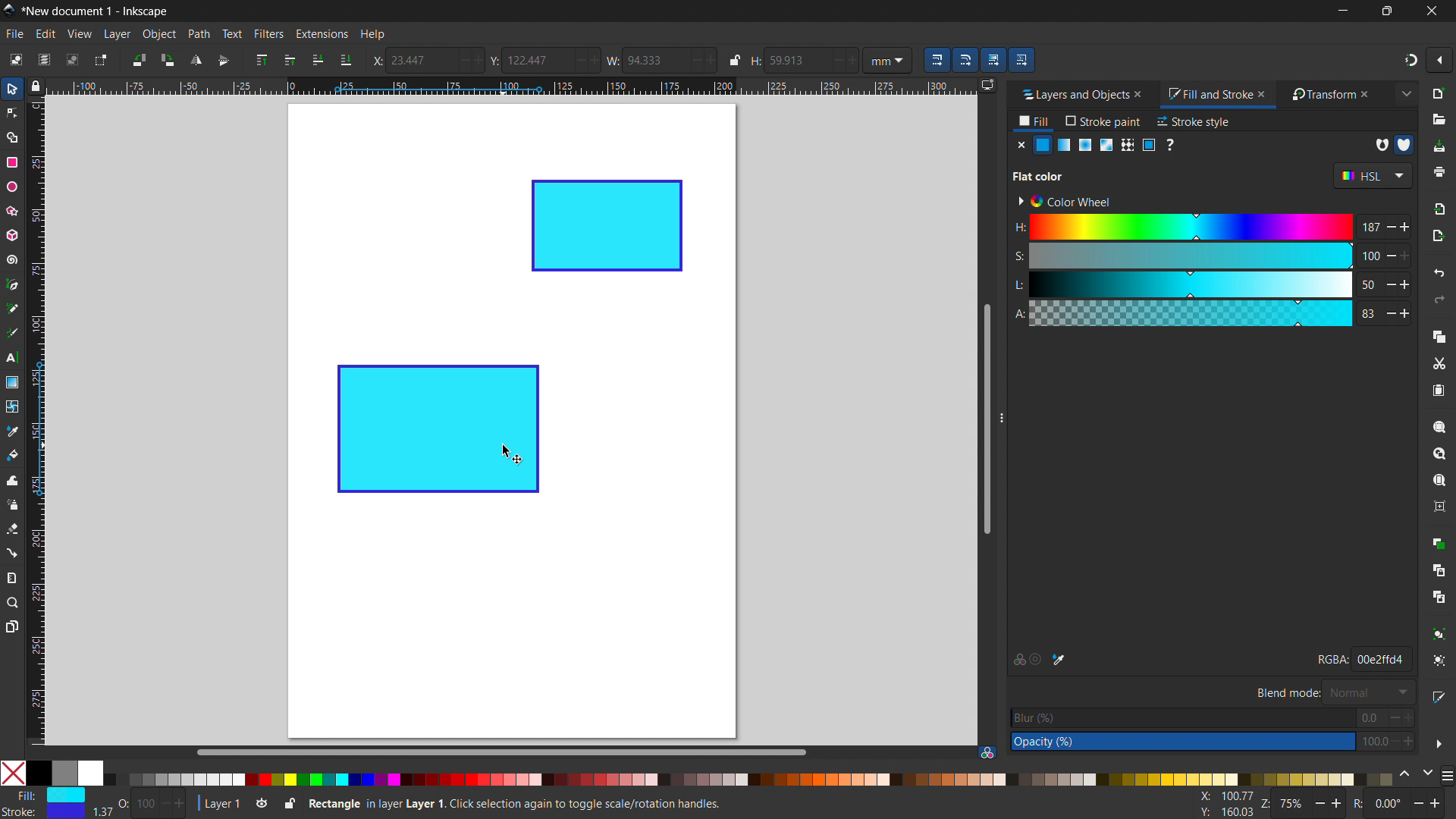 Image resolution: width=1456 pixels, height=819 pixels. What do you see at coordinates (36, 424) in the screenshot?
I see `vertical ruler` at bounding box center [36, 424].